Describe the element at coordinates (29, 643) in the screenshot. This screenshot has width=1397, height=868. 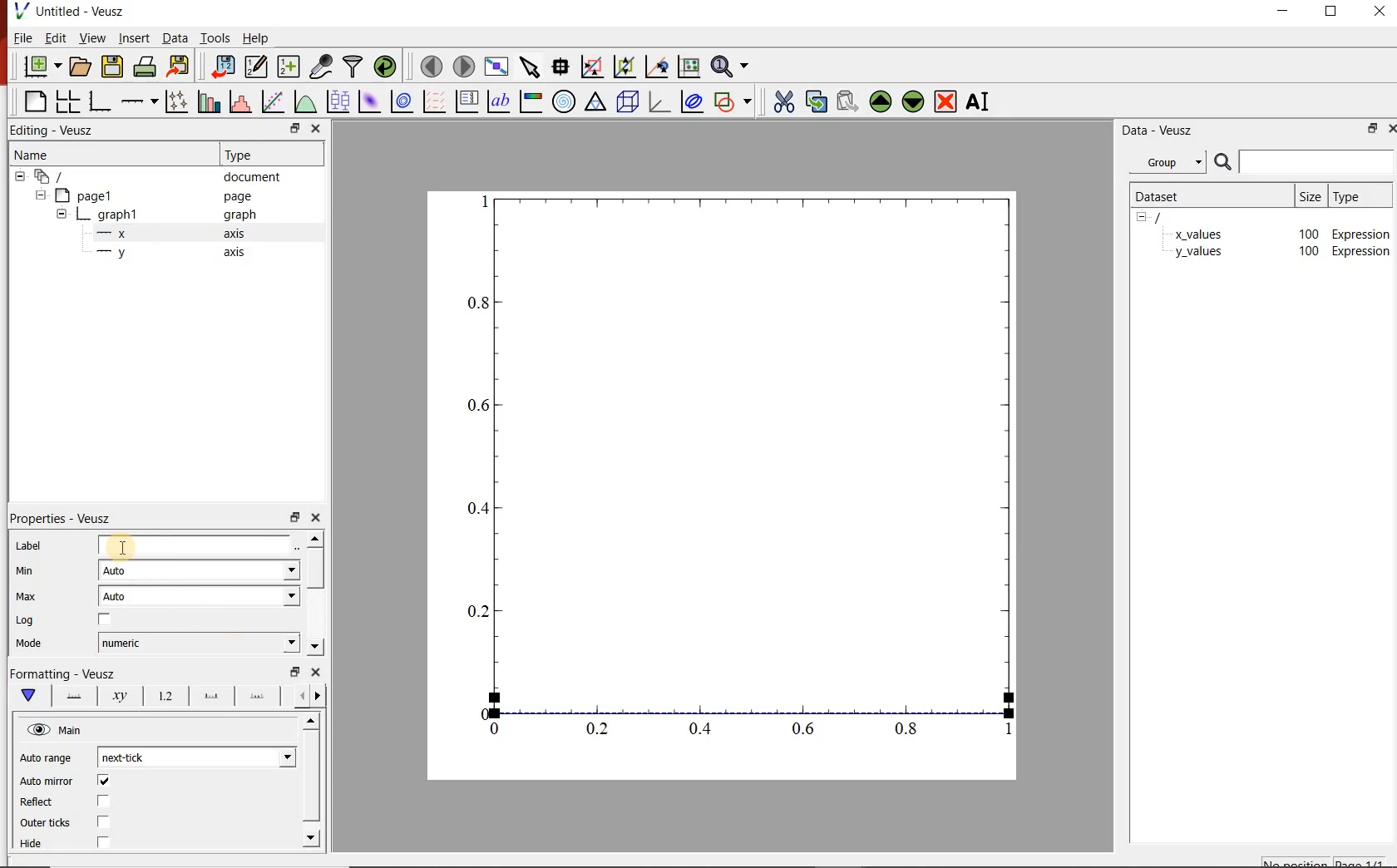
I see `Mode` at that location.